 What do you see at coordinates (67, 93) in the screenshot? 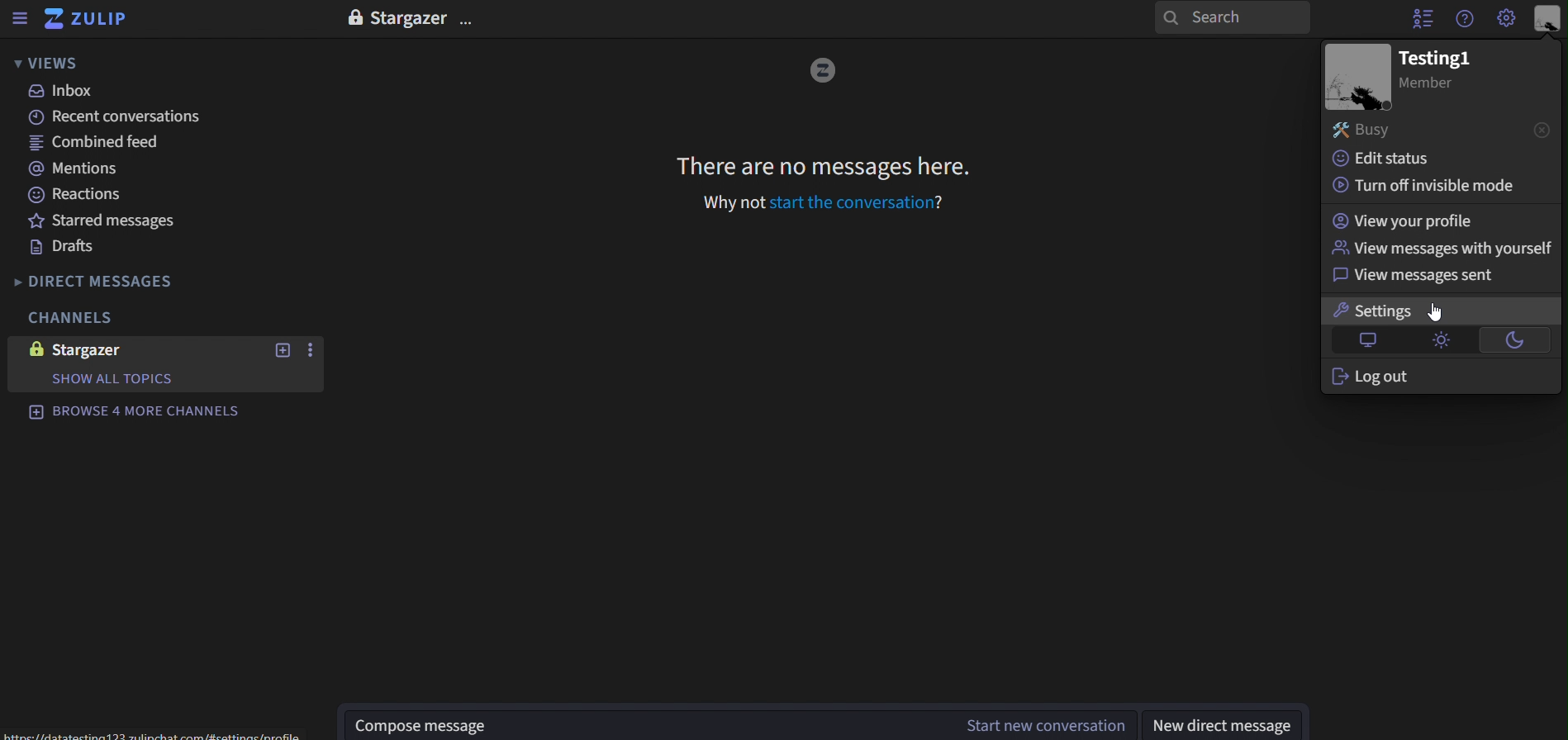
I see `inbox` at bounding box center [67, 93].